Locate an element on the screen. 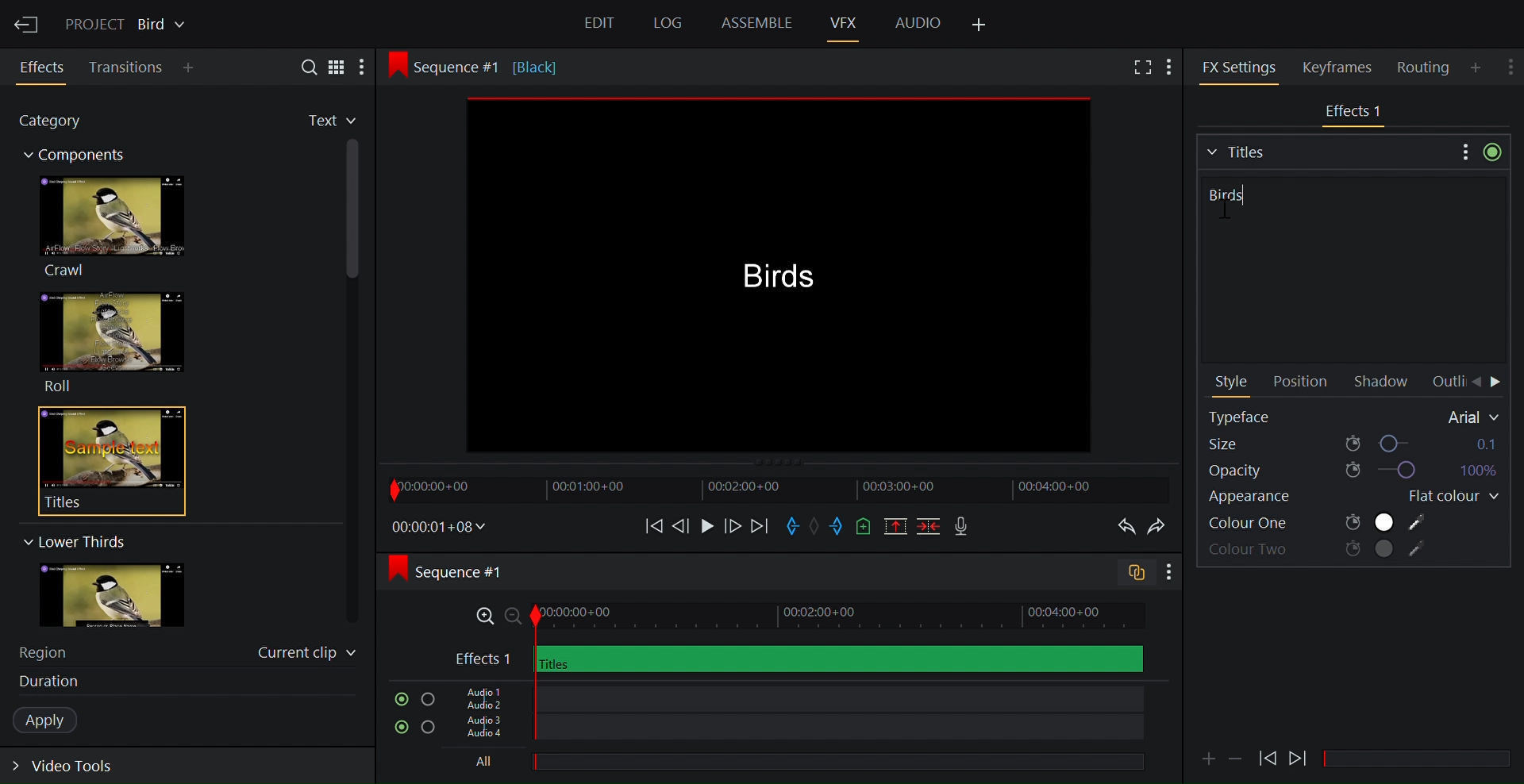 The image size is (1524, 784). Region is located at coordinates (52, 651).